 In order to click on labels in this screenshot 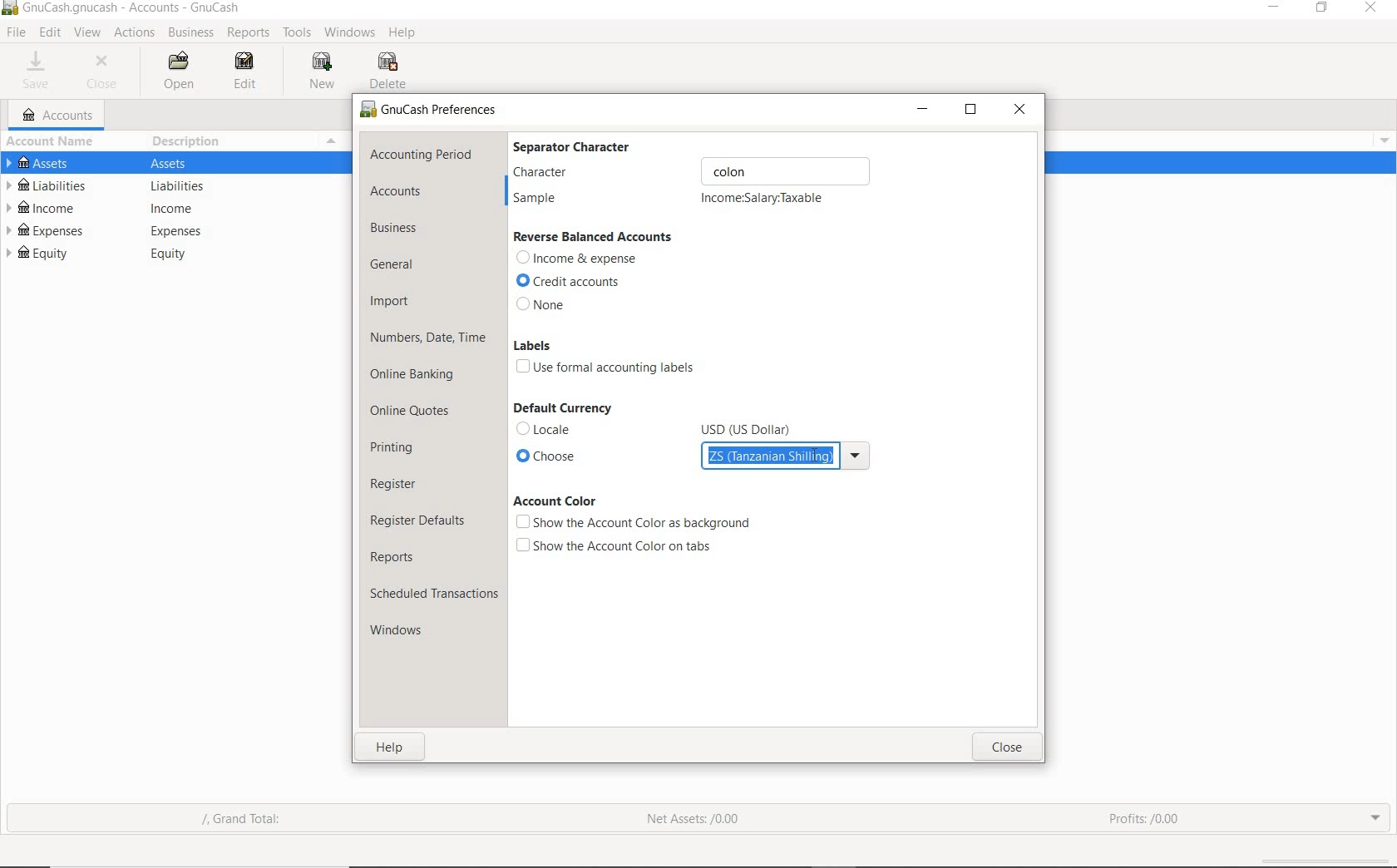, I will do `click(532, 345)`.